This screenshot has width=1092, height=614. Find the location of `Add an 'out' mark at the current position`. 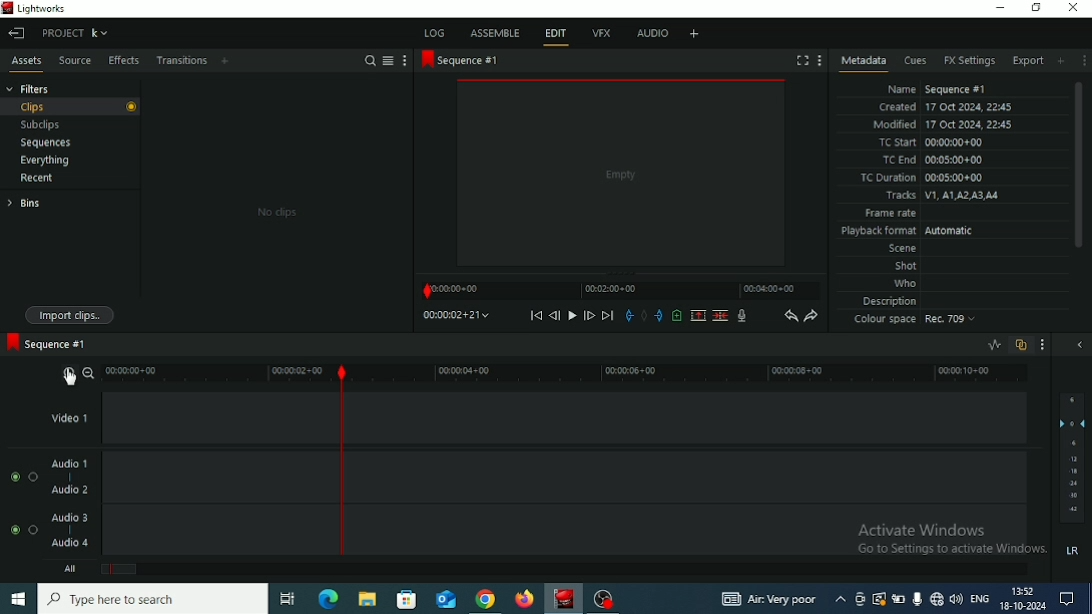

Add an 'out' mark at the current position is located at coordinates (658, 315).